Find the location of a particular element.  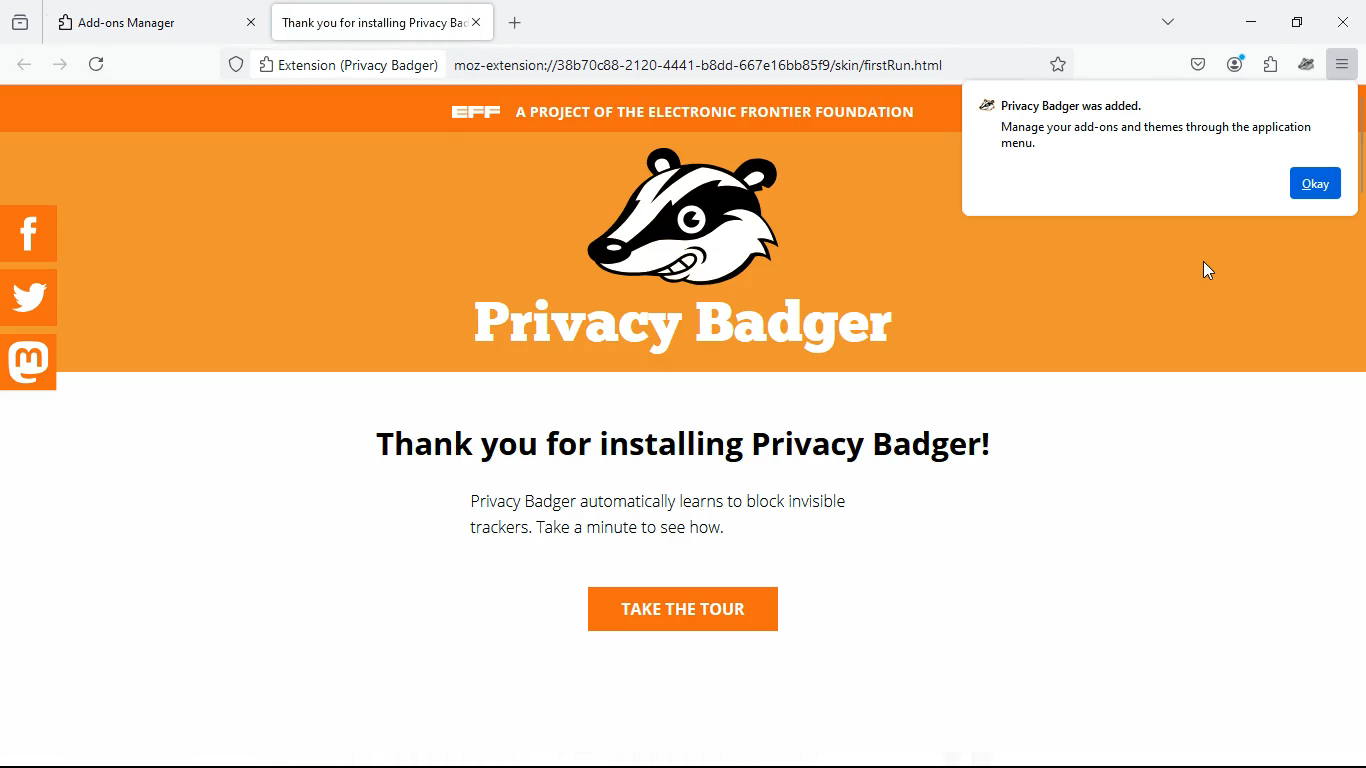

refresh is located at coordinates (92, 64).